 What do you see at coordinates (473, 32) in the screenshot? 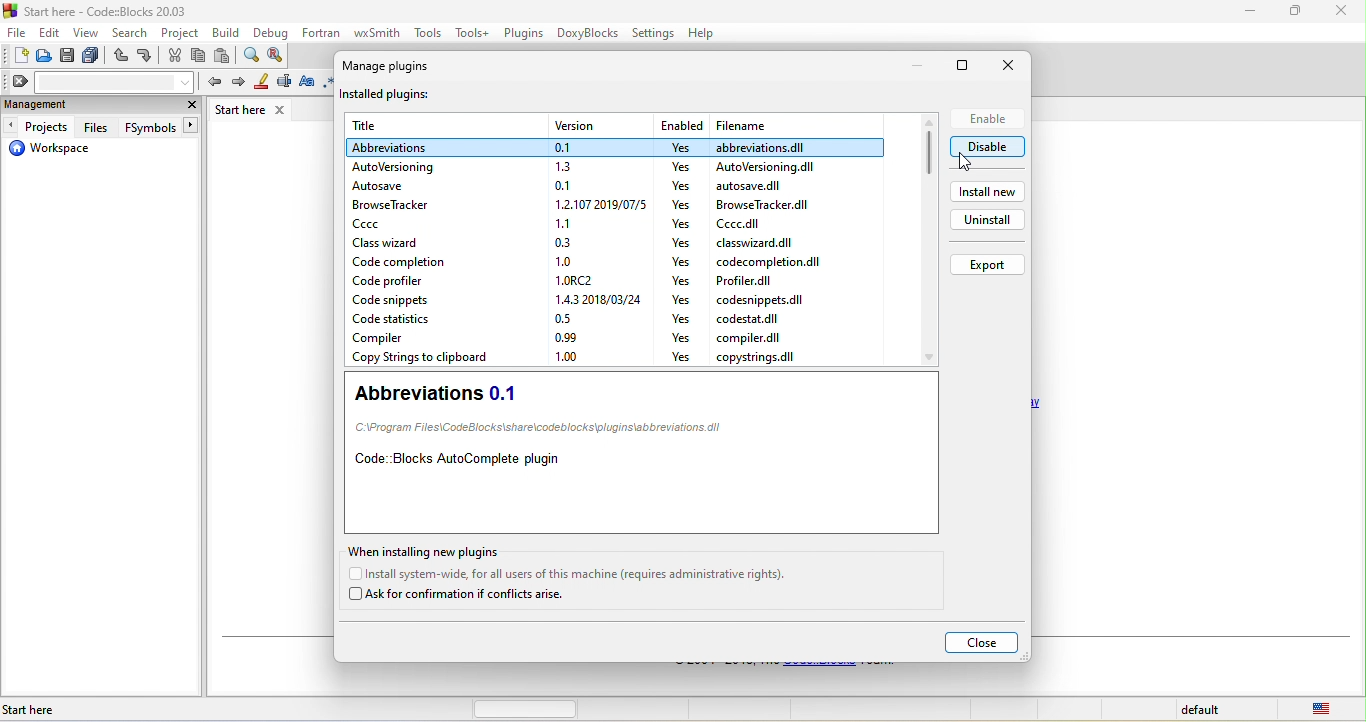
I see `tools++` at bounding box center [473, 32].